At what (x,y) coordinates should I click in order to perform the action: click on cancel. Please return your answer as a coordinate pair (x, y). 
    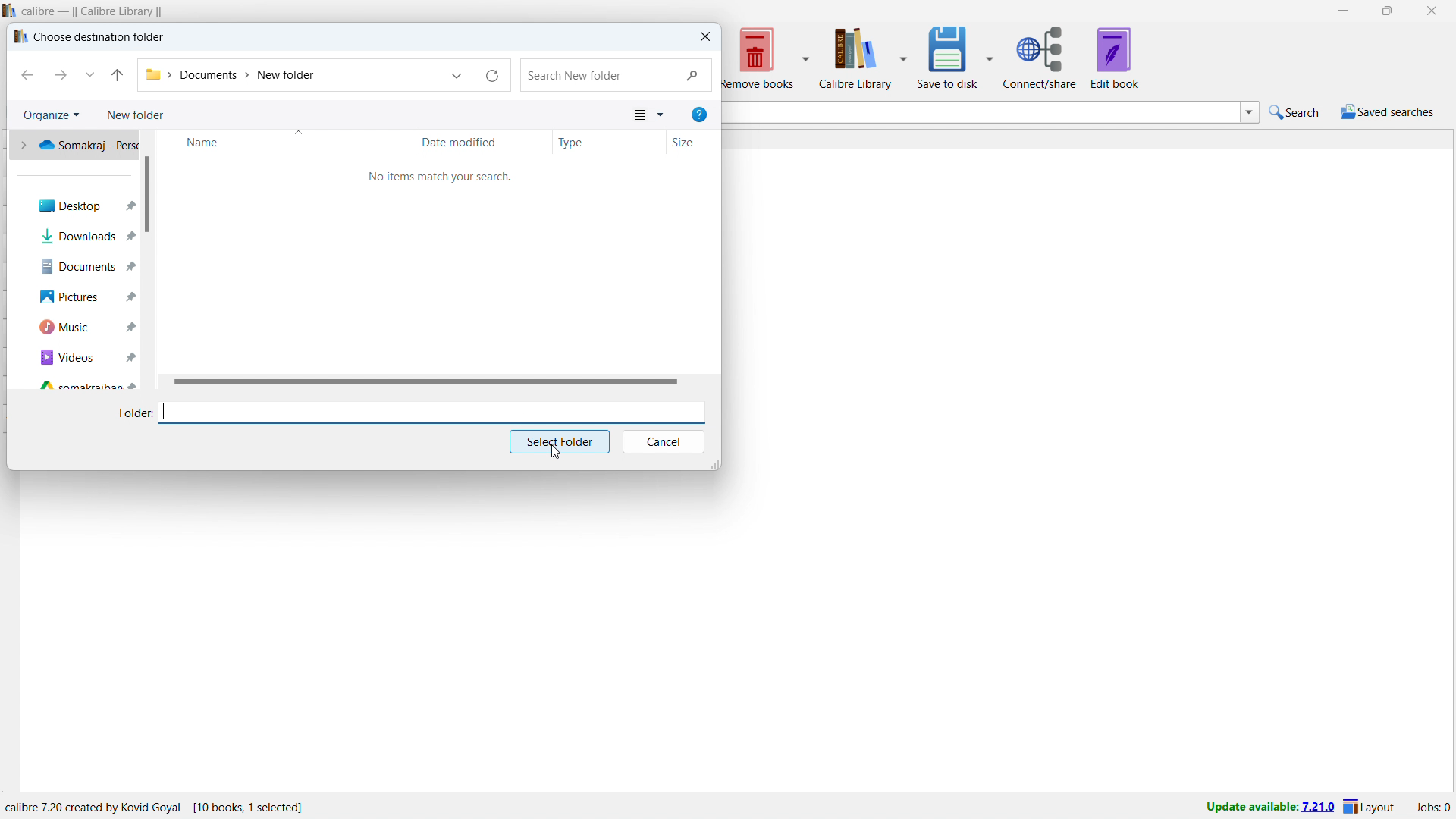
    Looking at the image, I should click on (664, 441).